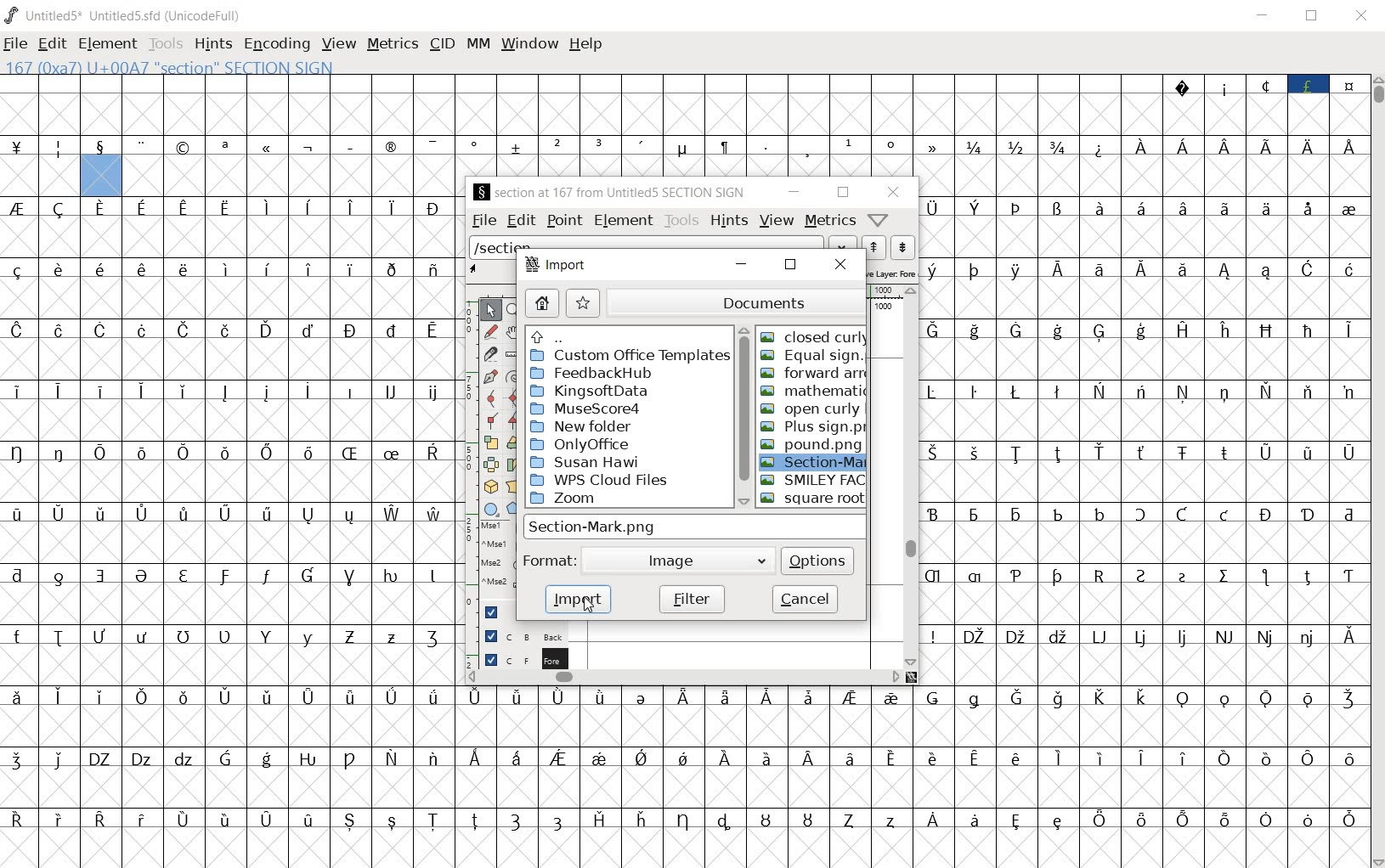 The image size is (1385, 868). What do you see at coordinates (684, 697) in the screenshot?
I see `special letters` at bounding box center [684, 697].